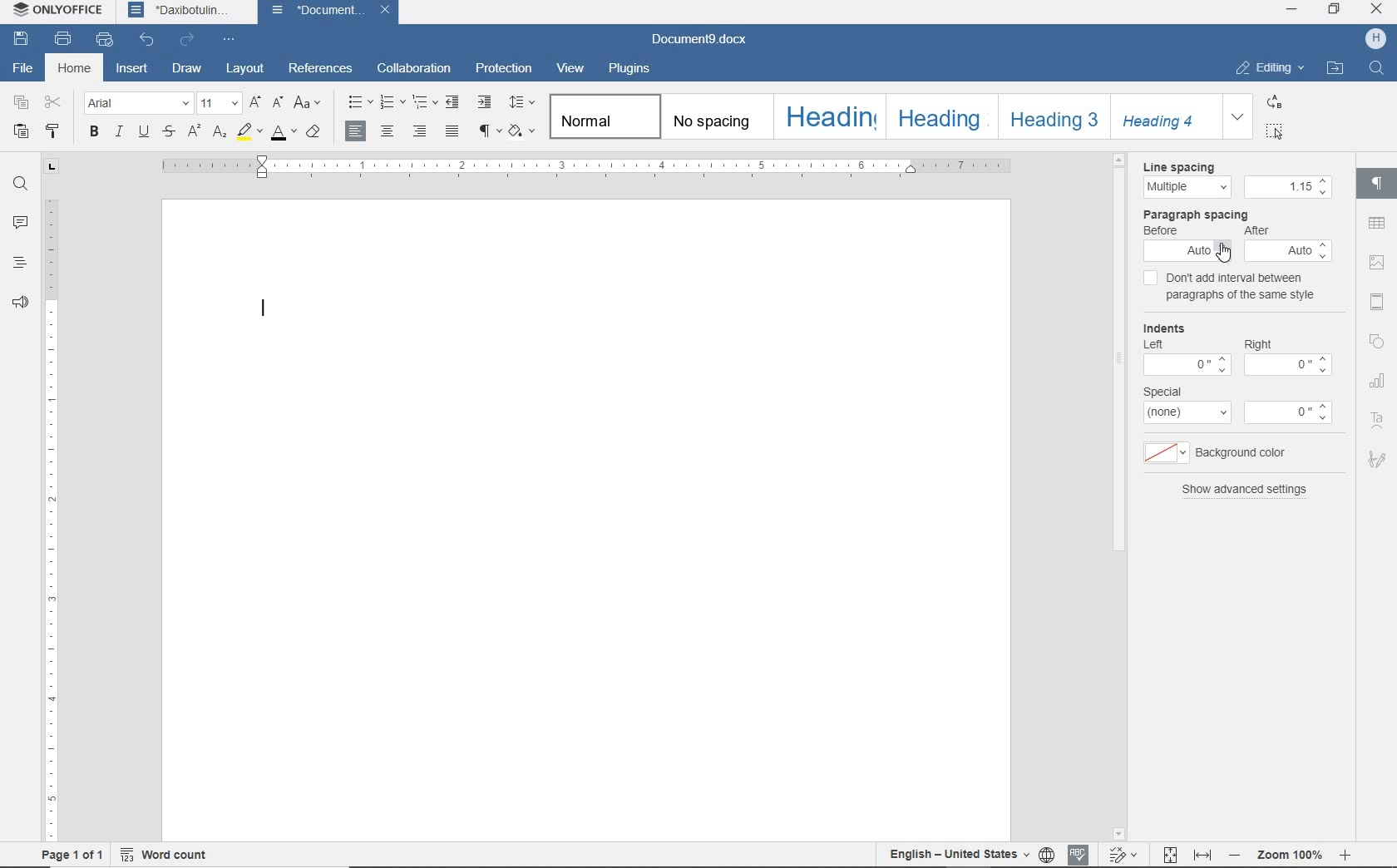 The height and width of the screenshot is (868, 1397). Describe the element at coordinates (1170, 855) in the screenshot. I see `fit to page` at that location.